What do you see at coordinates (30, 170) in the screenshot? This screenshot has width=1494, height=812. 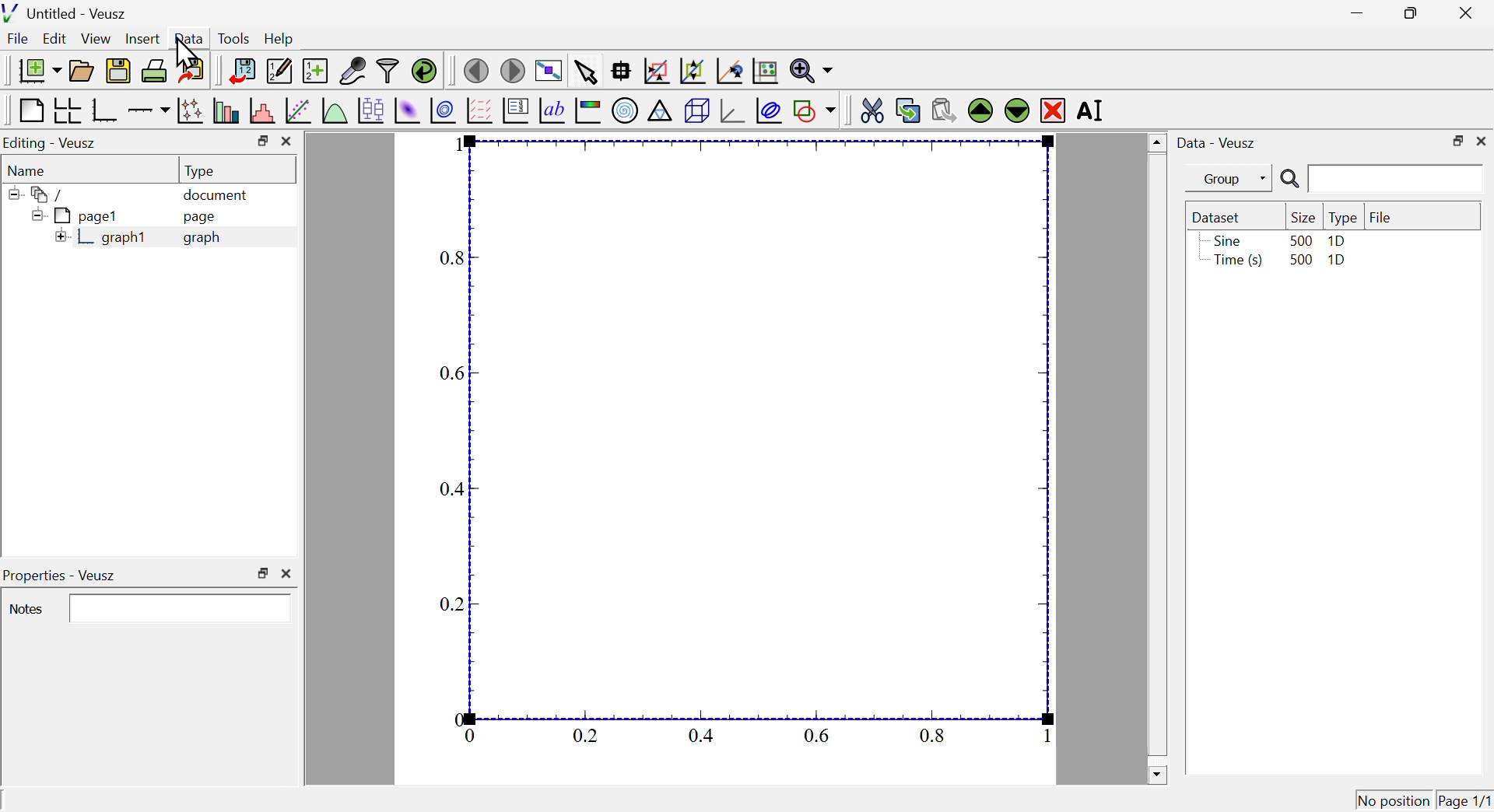 I see `name` at bounding box center [30, 170].